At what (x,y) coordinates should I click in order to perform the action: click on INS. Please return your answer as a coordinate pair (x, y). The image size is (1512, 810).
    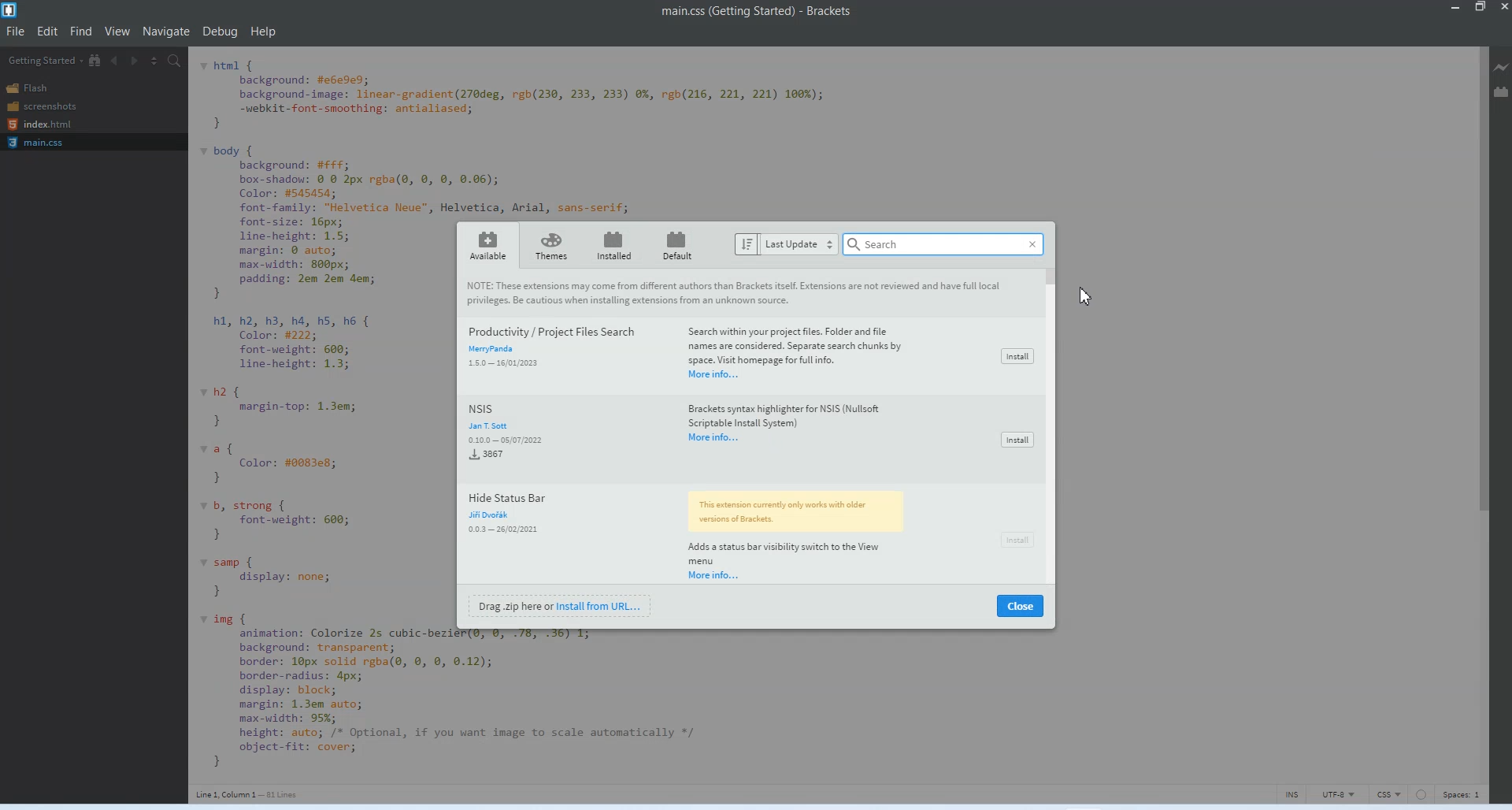
    Looking at the image, I should click on (1291, 793).